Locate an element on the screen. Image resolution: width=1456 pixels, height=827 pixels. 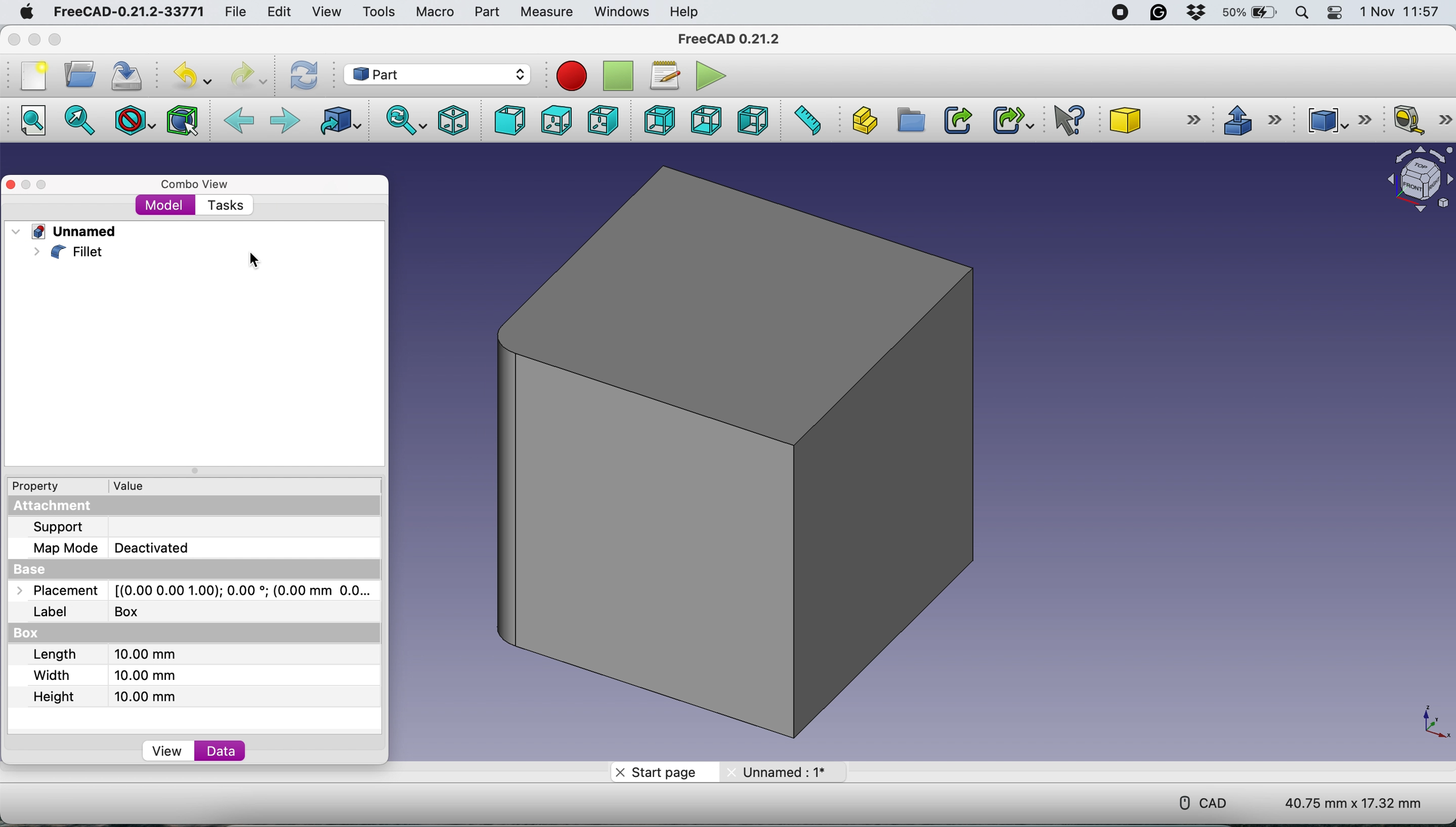
new  is located at coordinates (34, 76).